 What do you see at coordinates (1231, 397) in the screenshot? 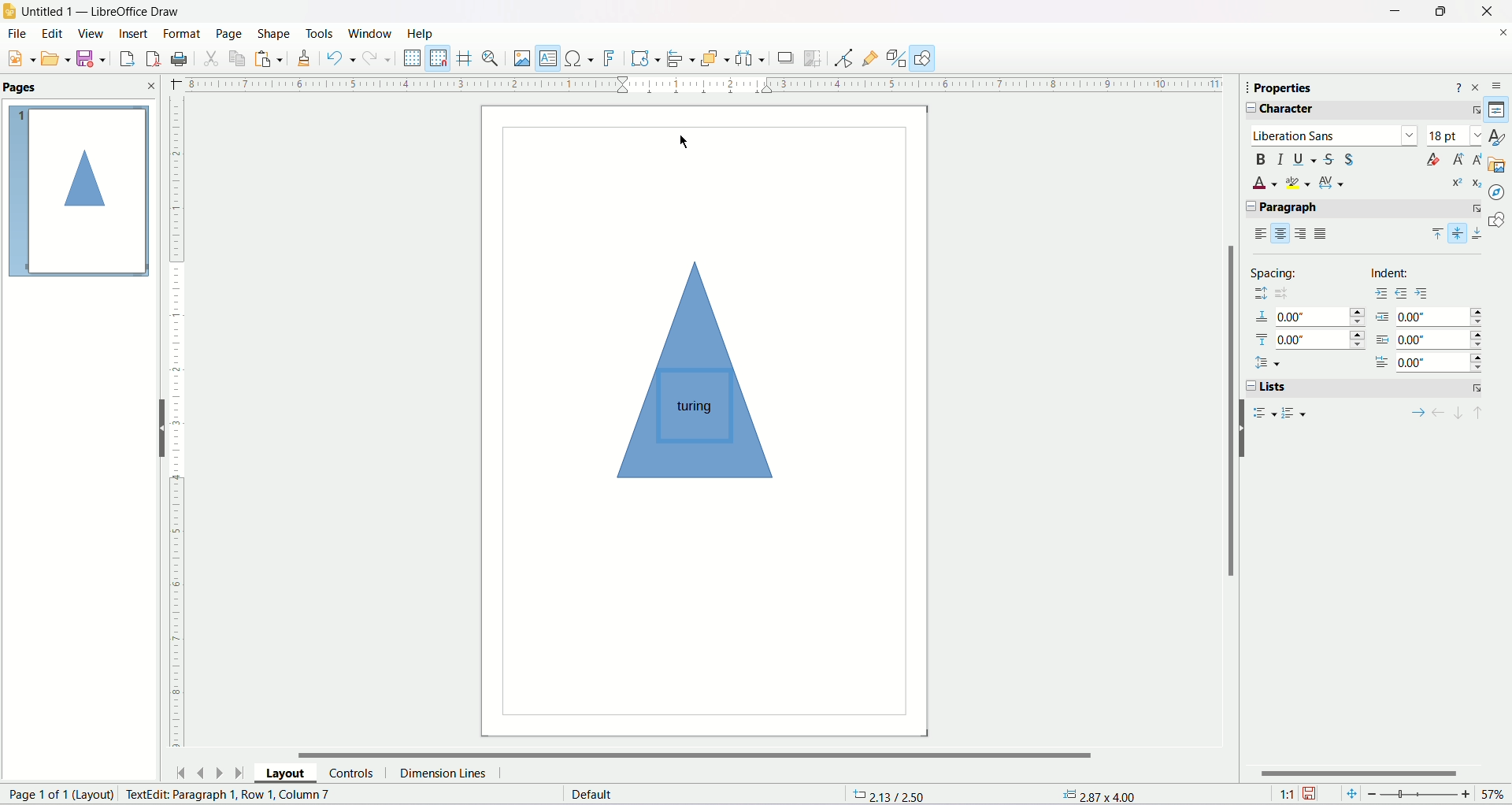
I see `vertical scroll bar` at bounding box center [1231, 397].